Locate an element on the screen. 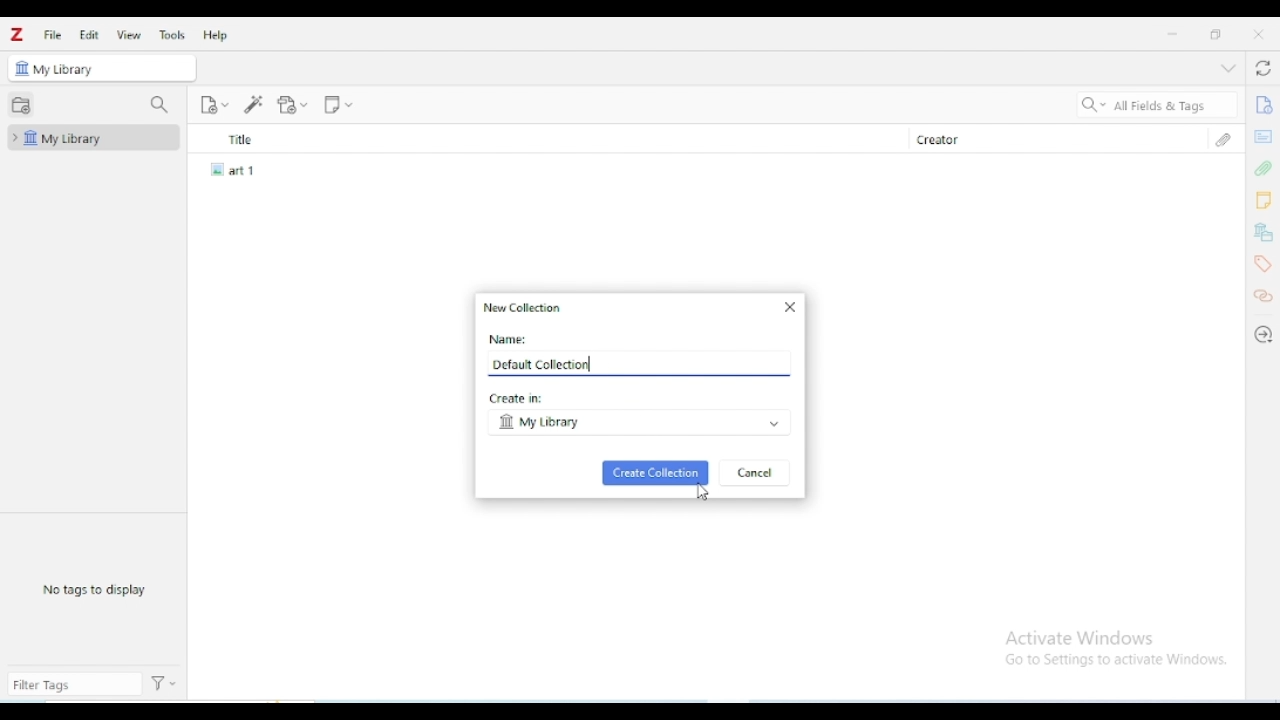  add attachment is located at coordinates (293, 104).